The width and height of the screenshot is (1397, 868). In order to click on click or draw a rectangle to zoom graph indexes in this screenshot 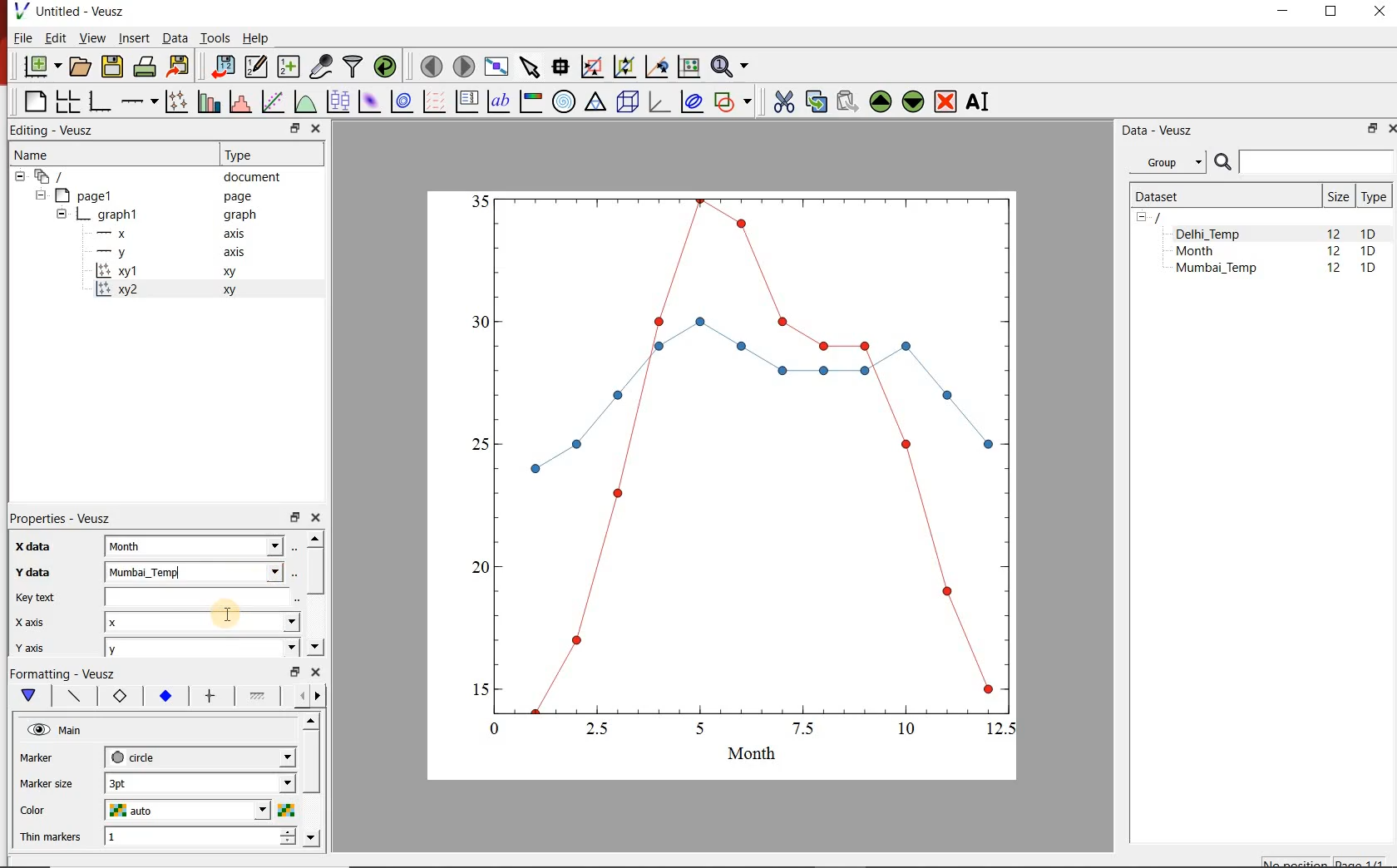, I will do `click(592, 67)`.